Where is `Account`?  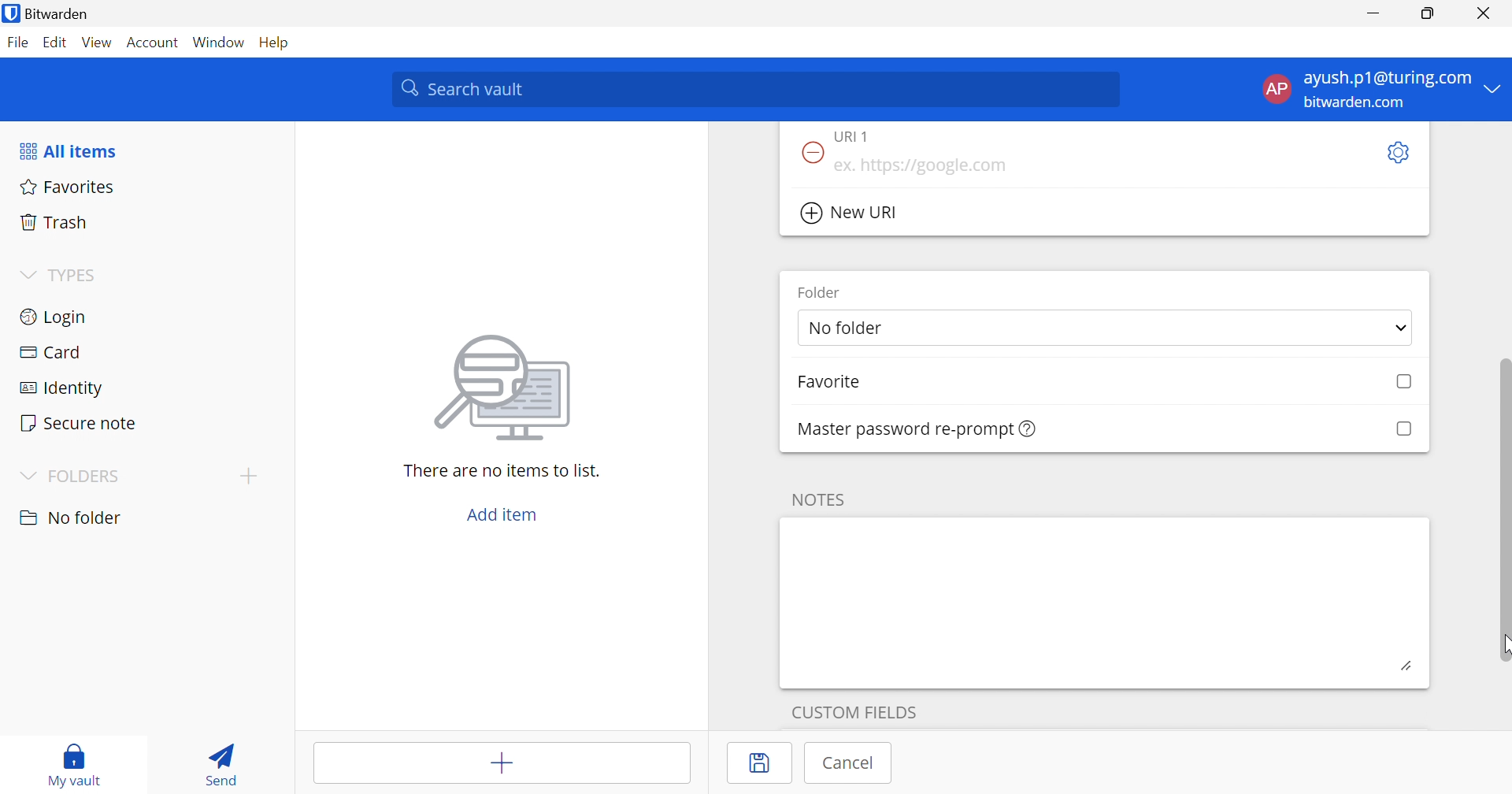
Account is located at coordinates (154, 46).